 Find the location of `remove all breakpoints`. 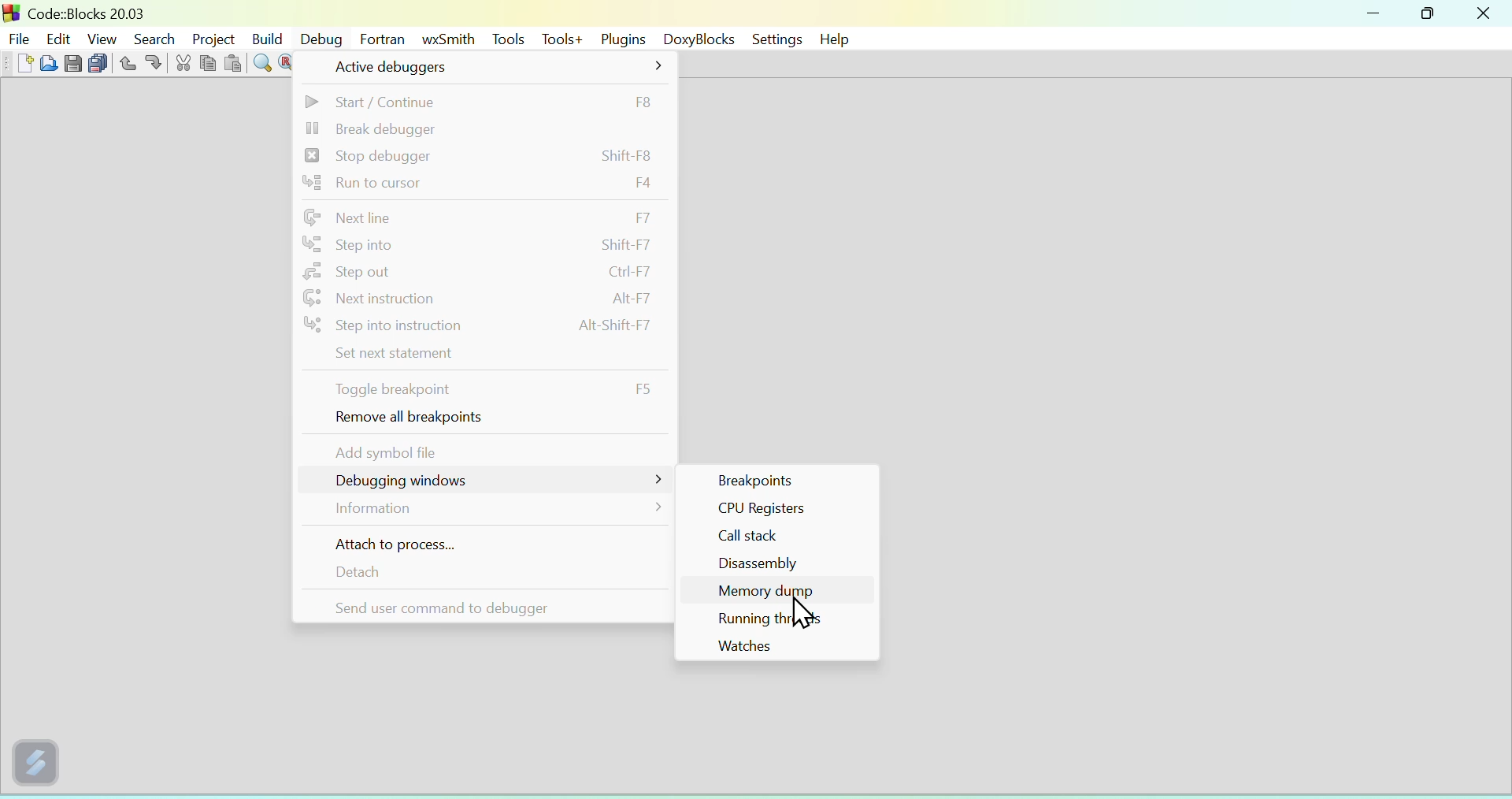

remove all breakpoints is located at coordinates (480, 420).